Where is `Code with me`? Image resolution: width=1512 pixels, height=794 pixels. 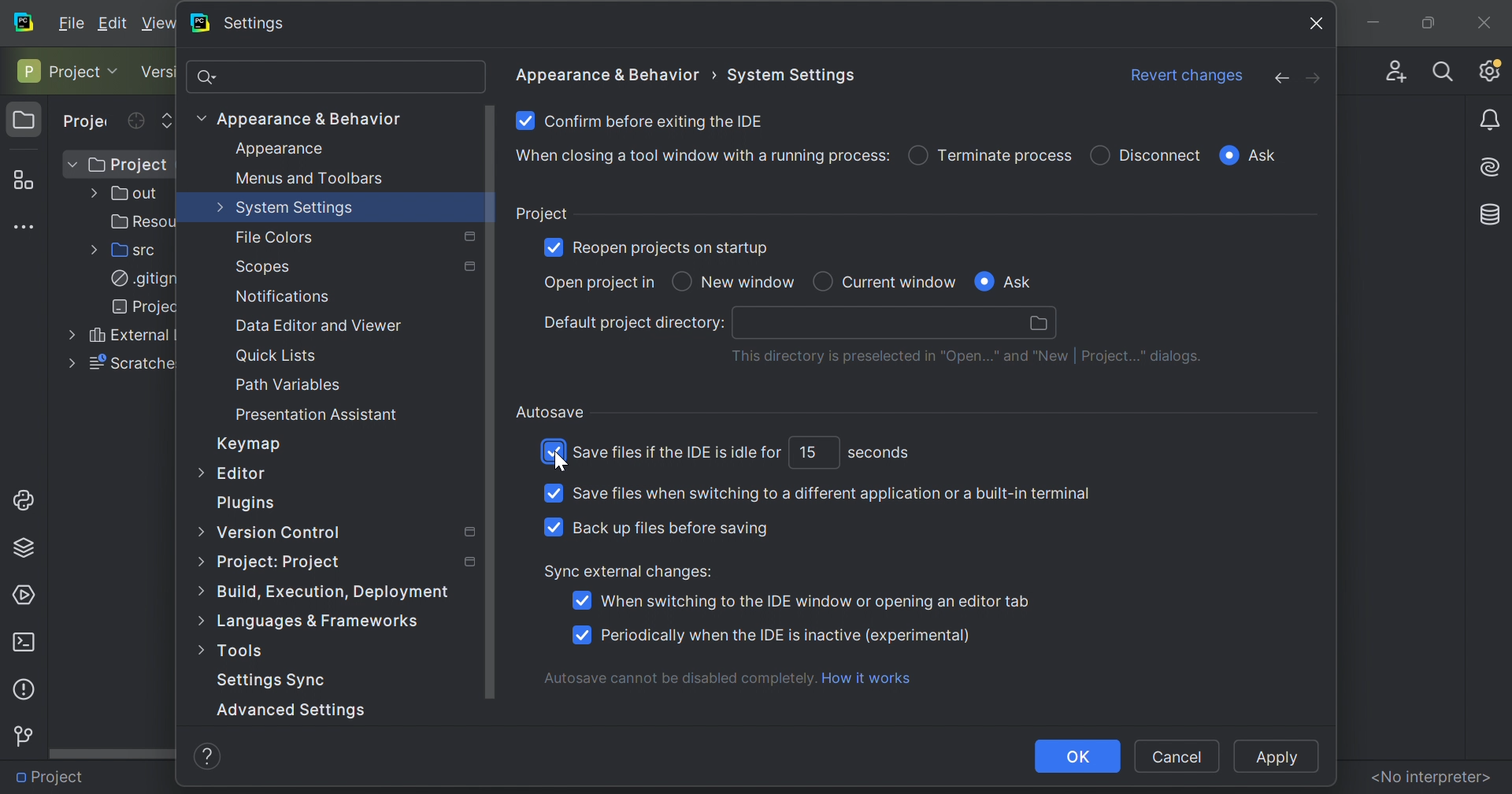
Code with me is located at coordinates (1392, 67).